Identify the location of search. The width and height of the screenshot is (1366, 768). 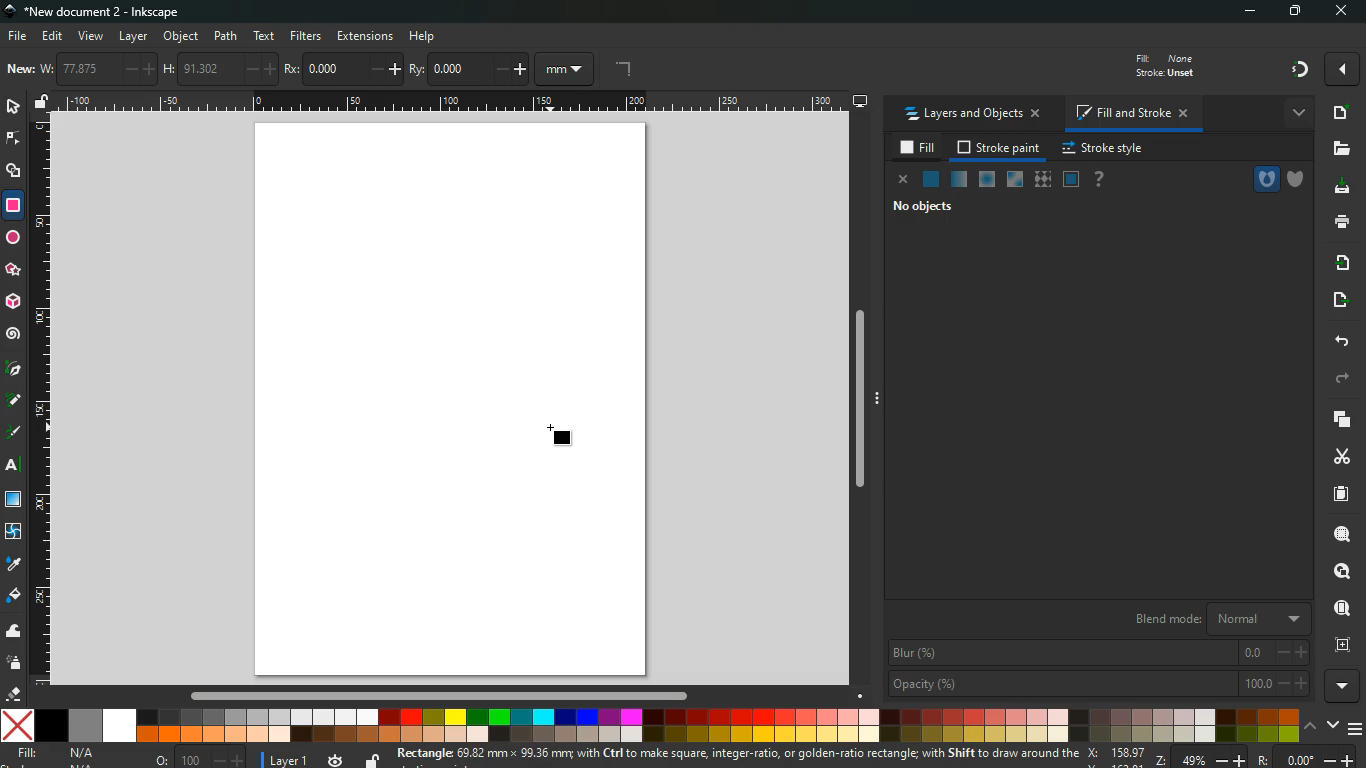
(1341, 530).